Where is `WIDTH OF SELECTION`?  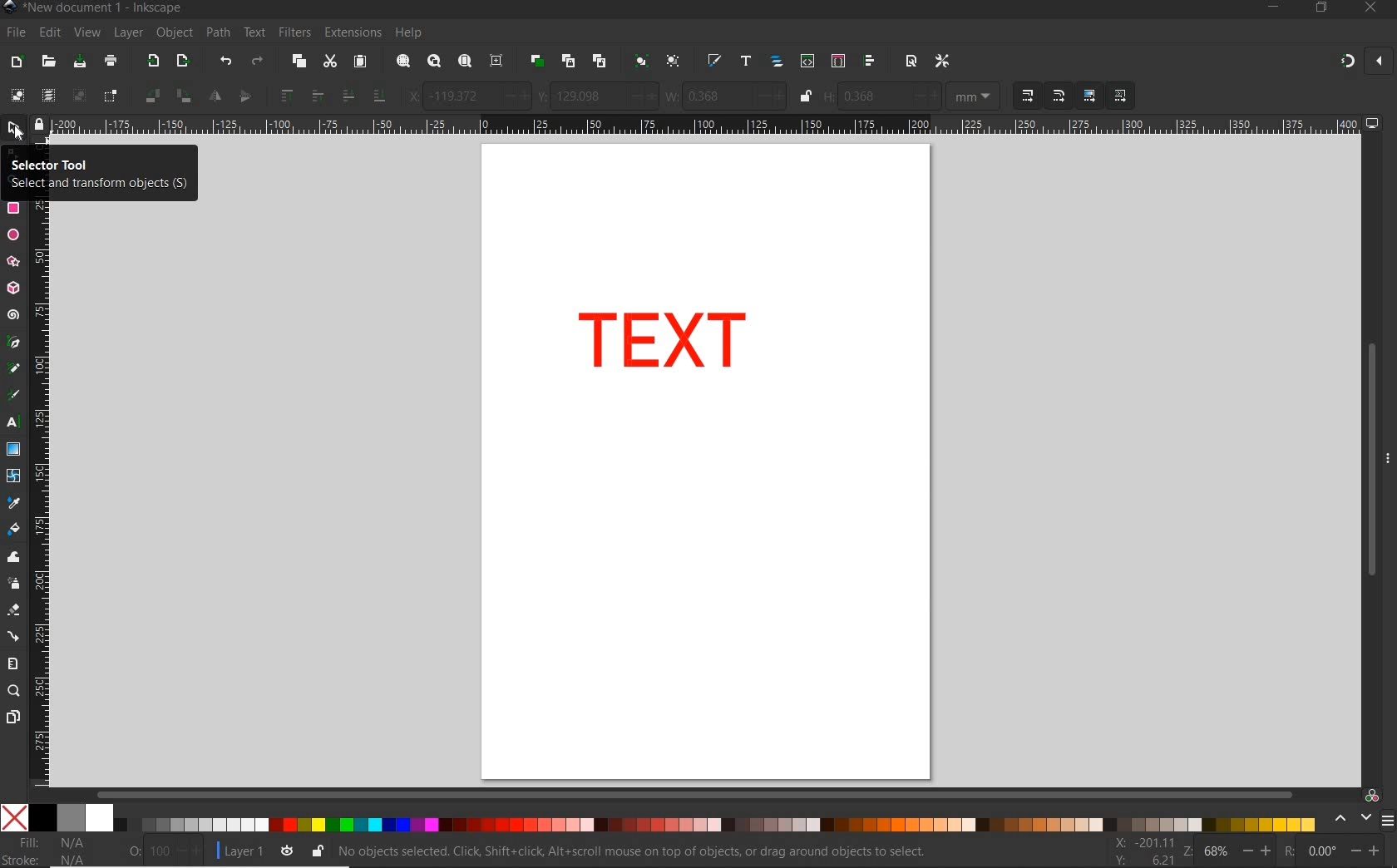
WIDTH OF SELECTION is located at coordinates (725, 96).